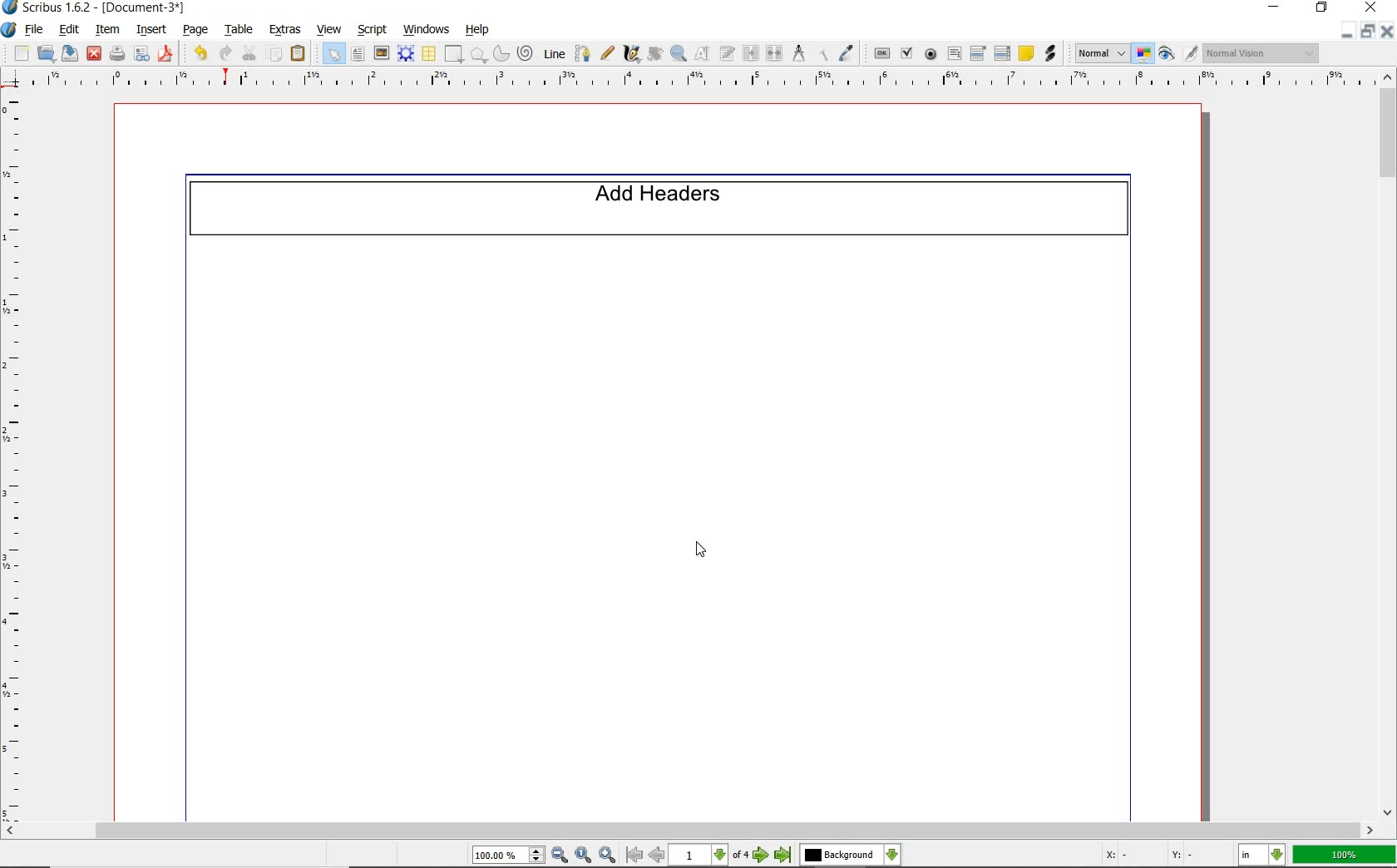  What do you see at coordinates (708, 856) in the screenshot?
I see `select current page` at bounding box center [708, 856].